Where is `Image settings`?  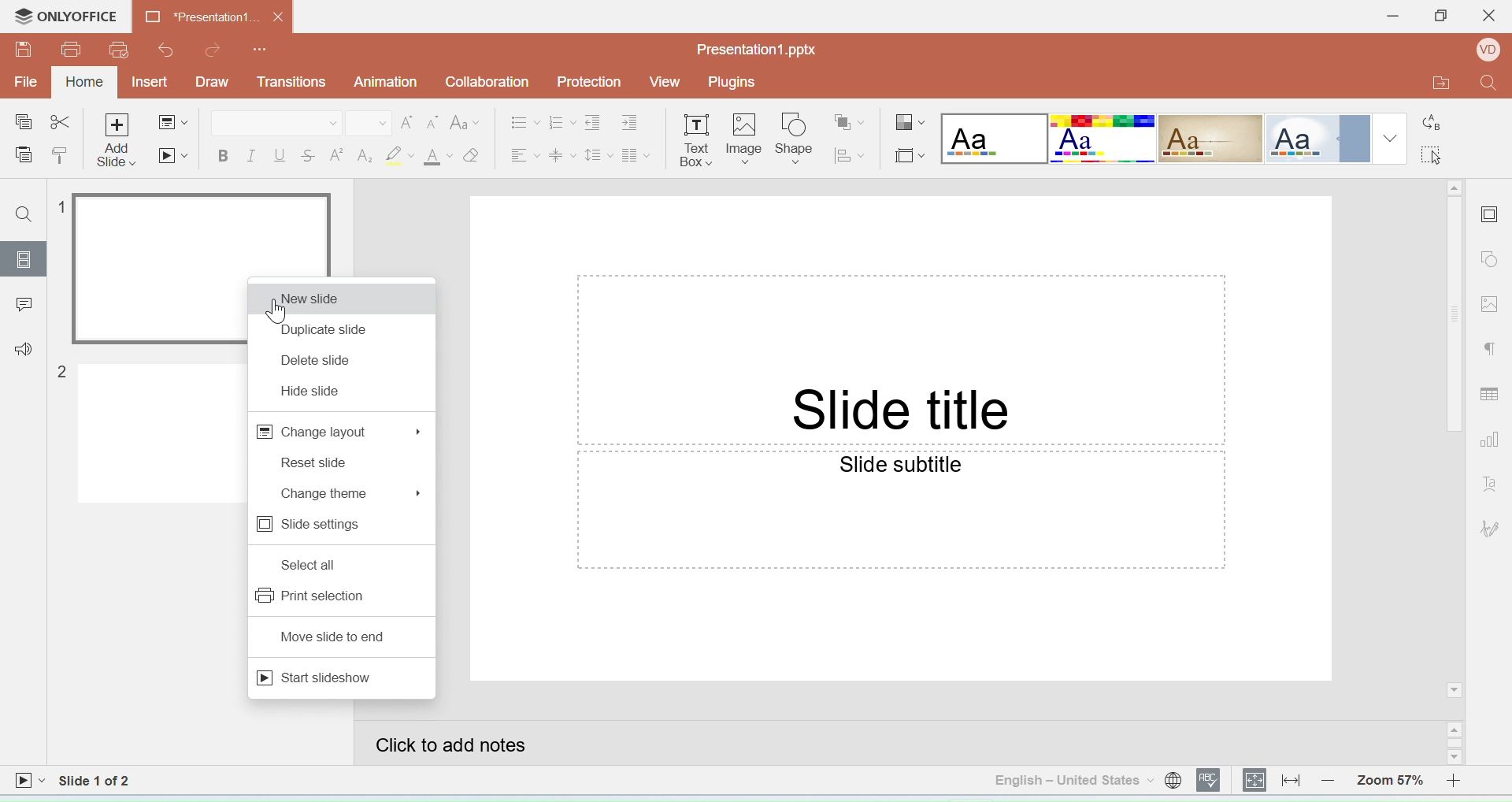
Image settings is located at coordinates (1492, 303).